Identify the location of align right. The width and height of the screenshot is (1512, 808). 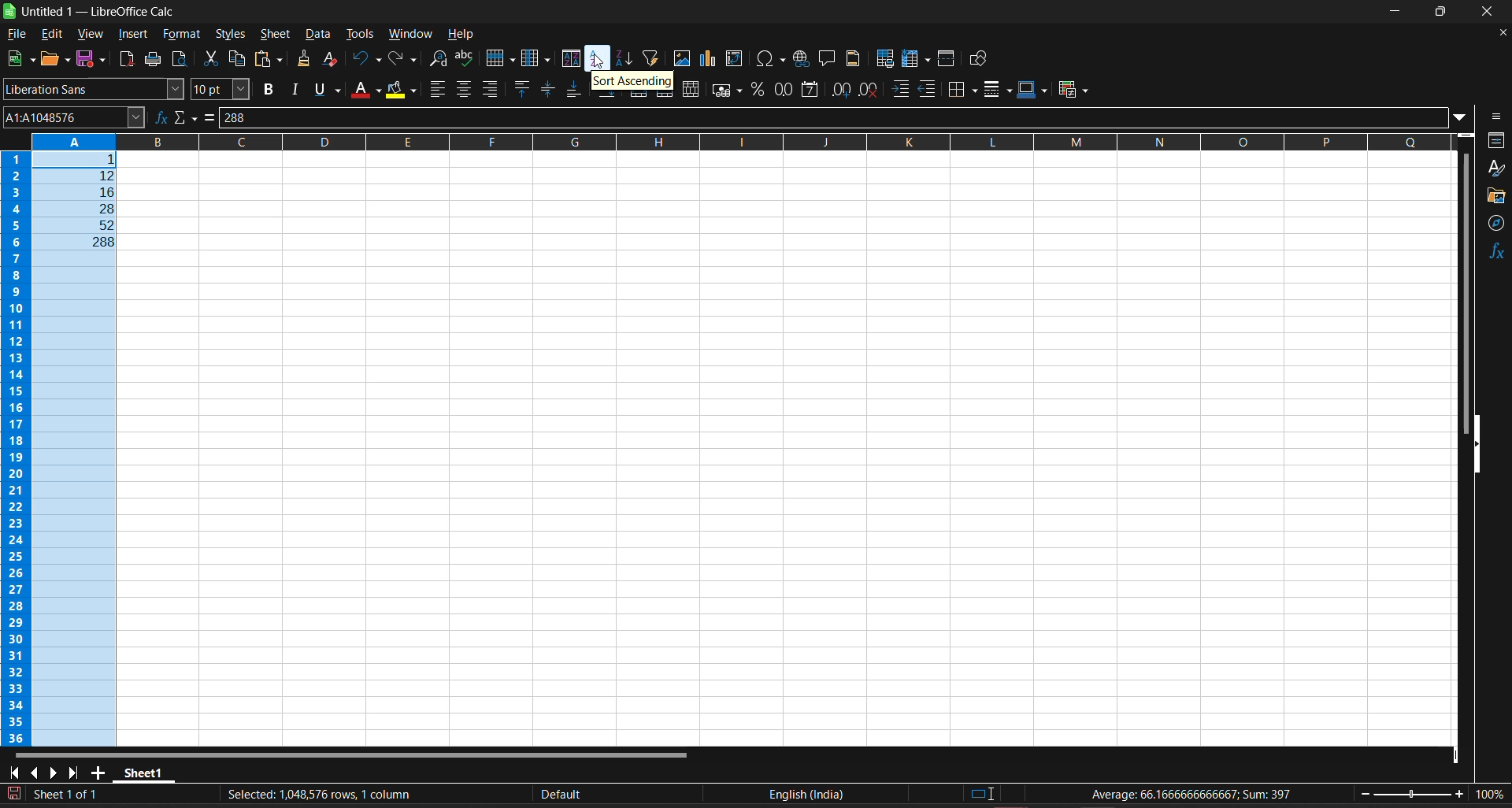
(491, 89).